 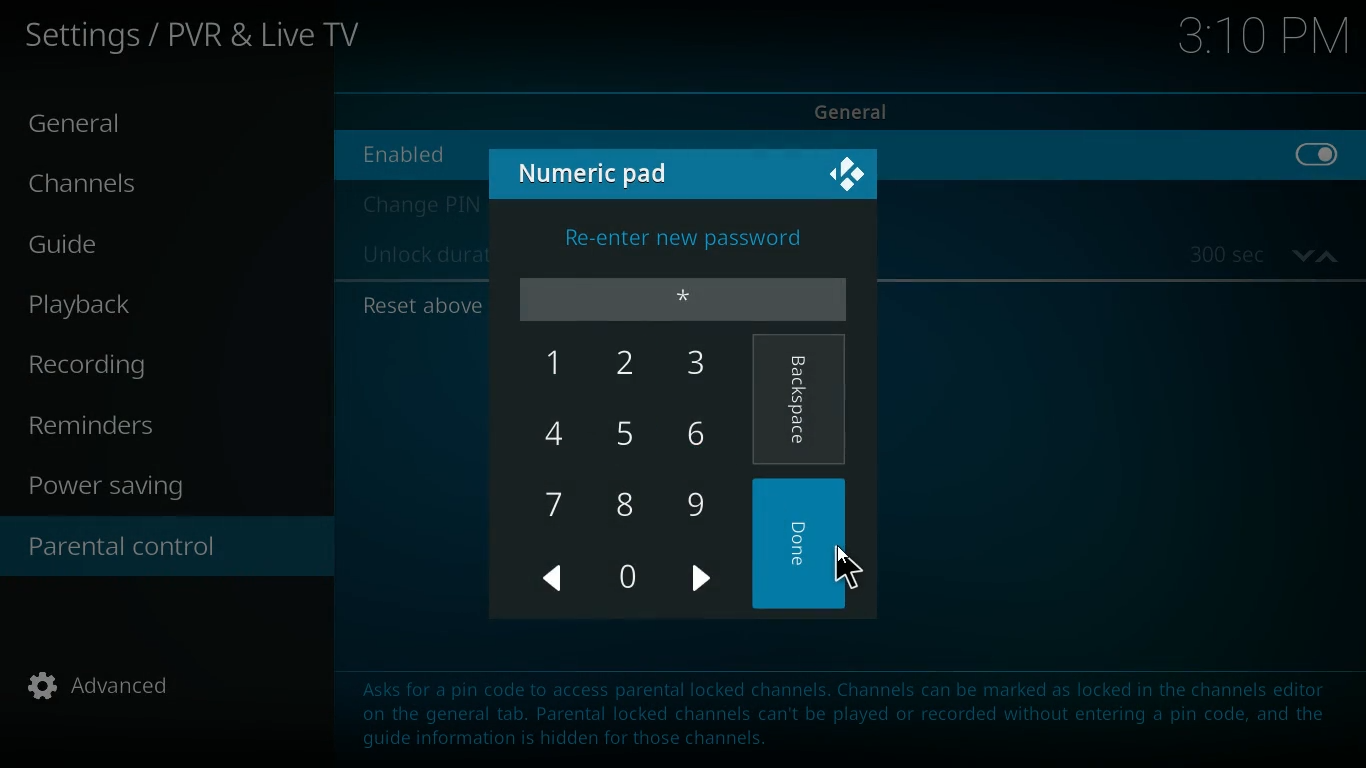 What do you see at coordinates (684, 243) in the screenshot?
I see `re-enter new password` at bounding box center [684, 243].